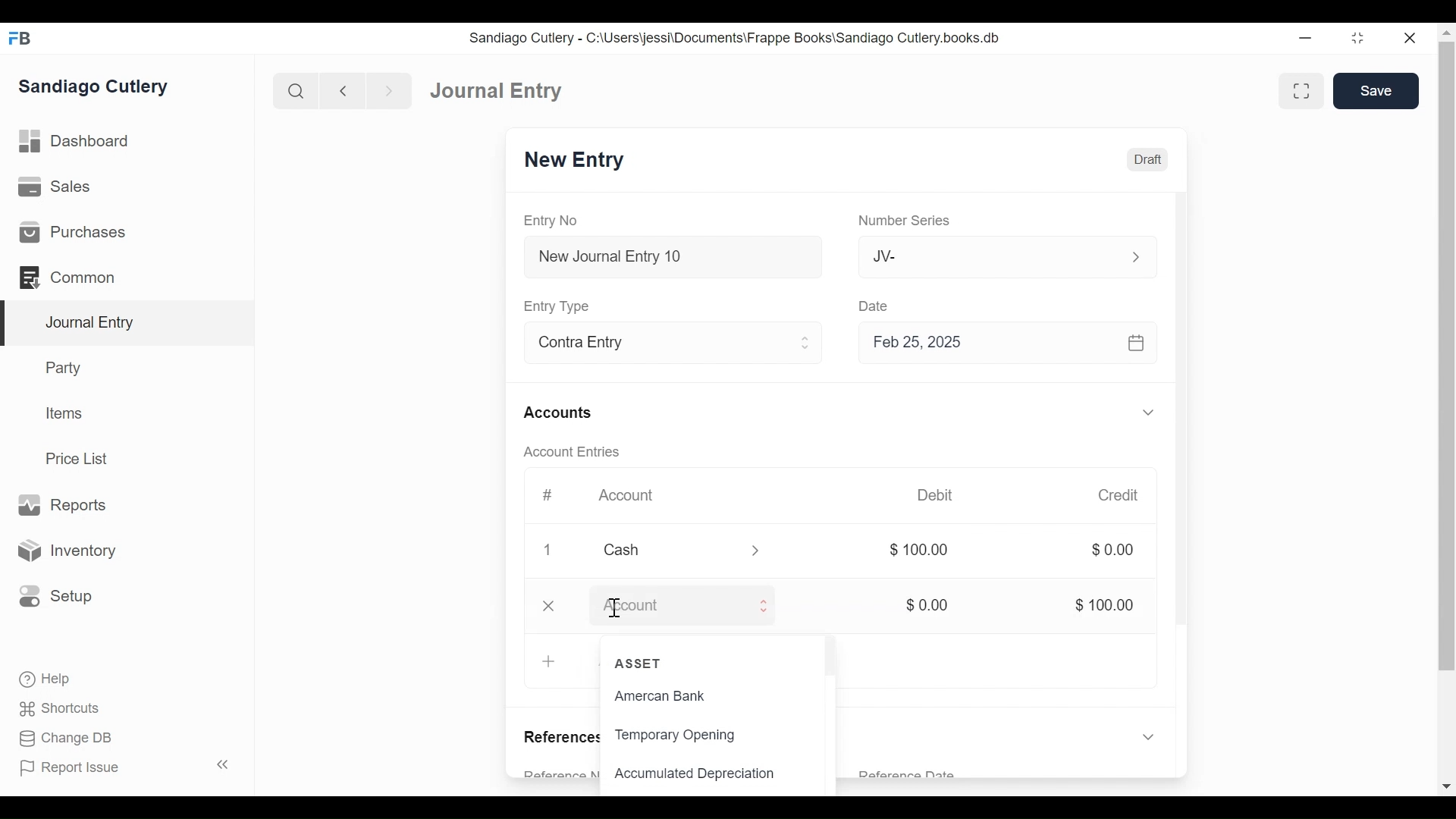 Image resolution: width=1456 pixels, height=819 pixels. I want to click on Save, so click(1377, 91).